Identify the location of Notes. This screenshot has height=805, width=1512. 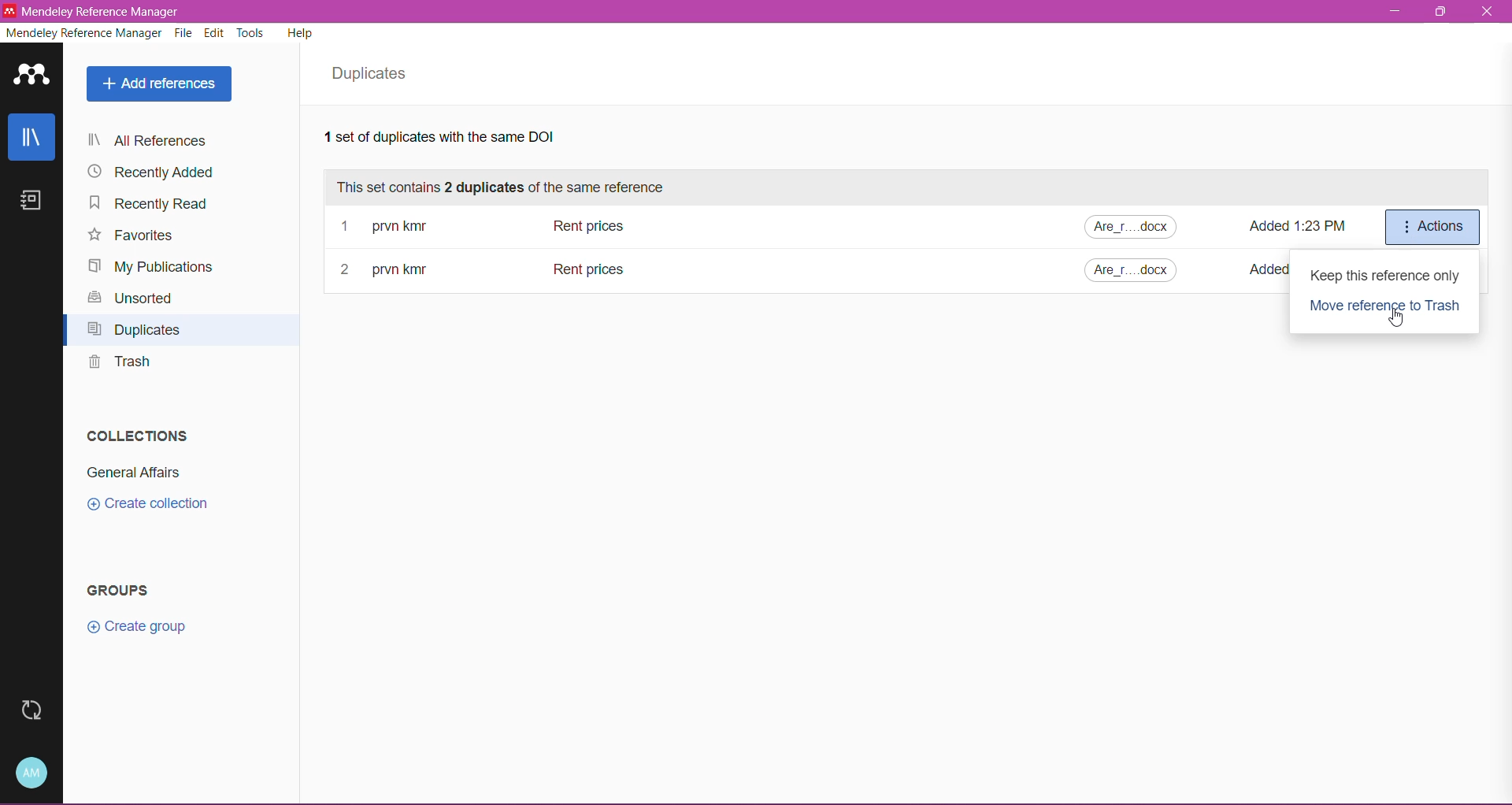
(35, 202).